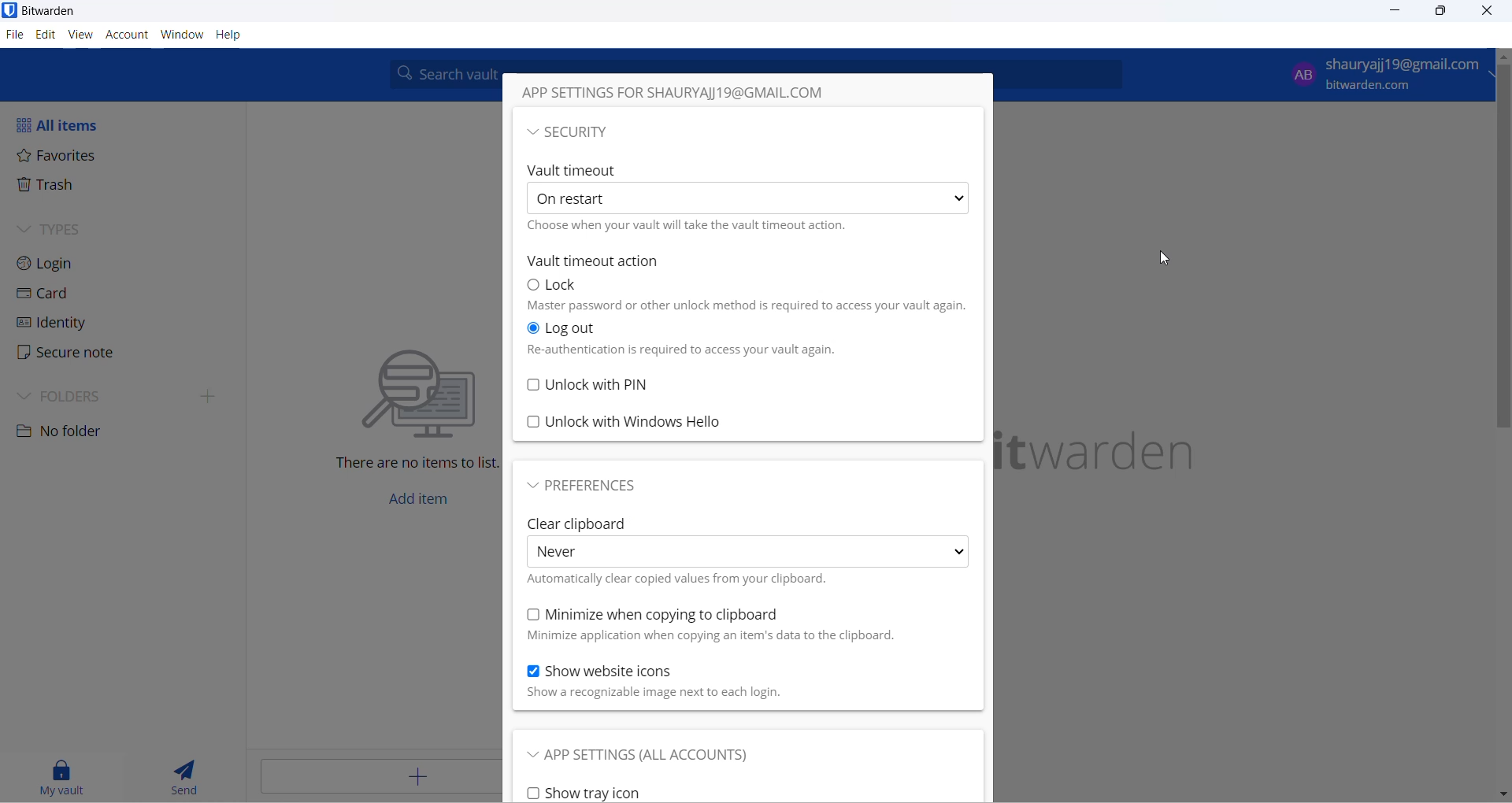 This screenshot has height=803, width=1512. Describe the element at coordinates (659, 758) in the screenshot. I see `app settings` at that location.